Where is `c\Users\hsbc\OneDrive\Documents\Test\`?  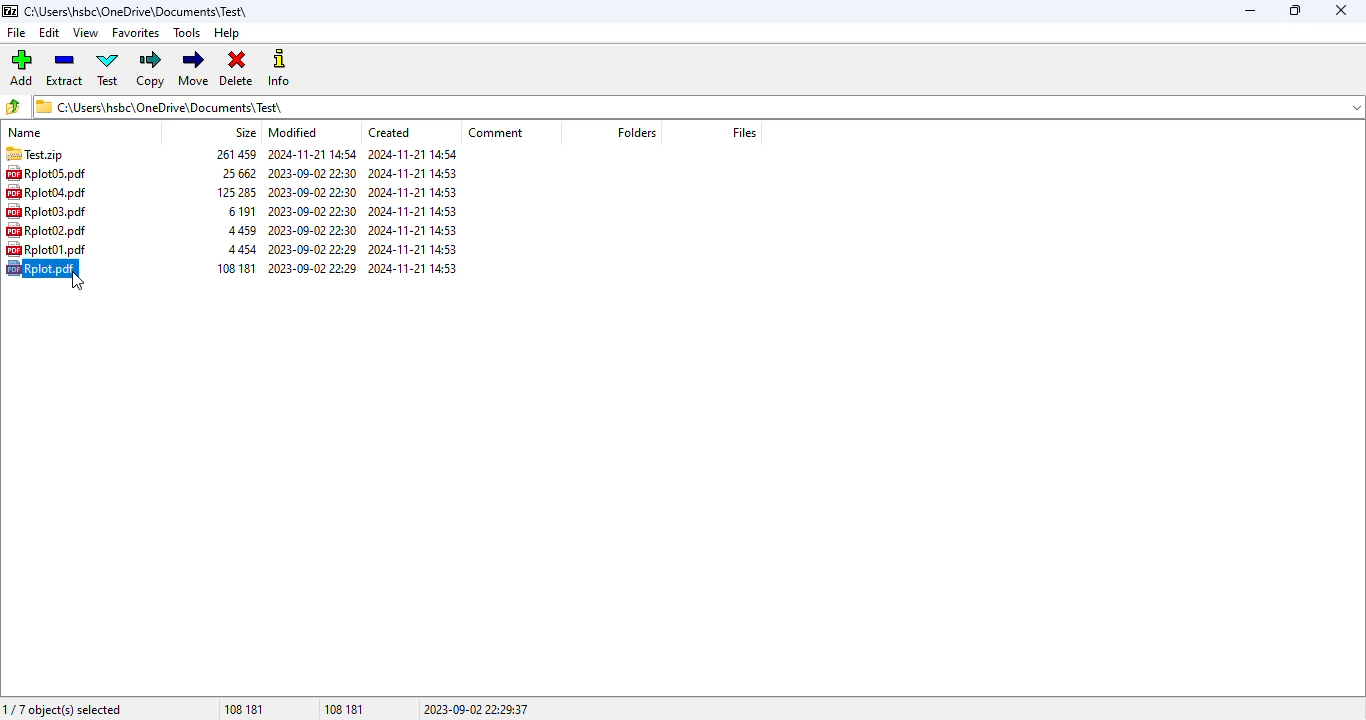 c\Users\hsbc\OneDrive\Documents\Test\ is located at coordinates (140, 11).